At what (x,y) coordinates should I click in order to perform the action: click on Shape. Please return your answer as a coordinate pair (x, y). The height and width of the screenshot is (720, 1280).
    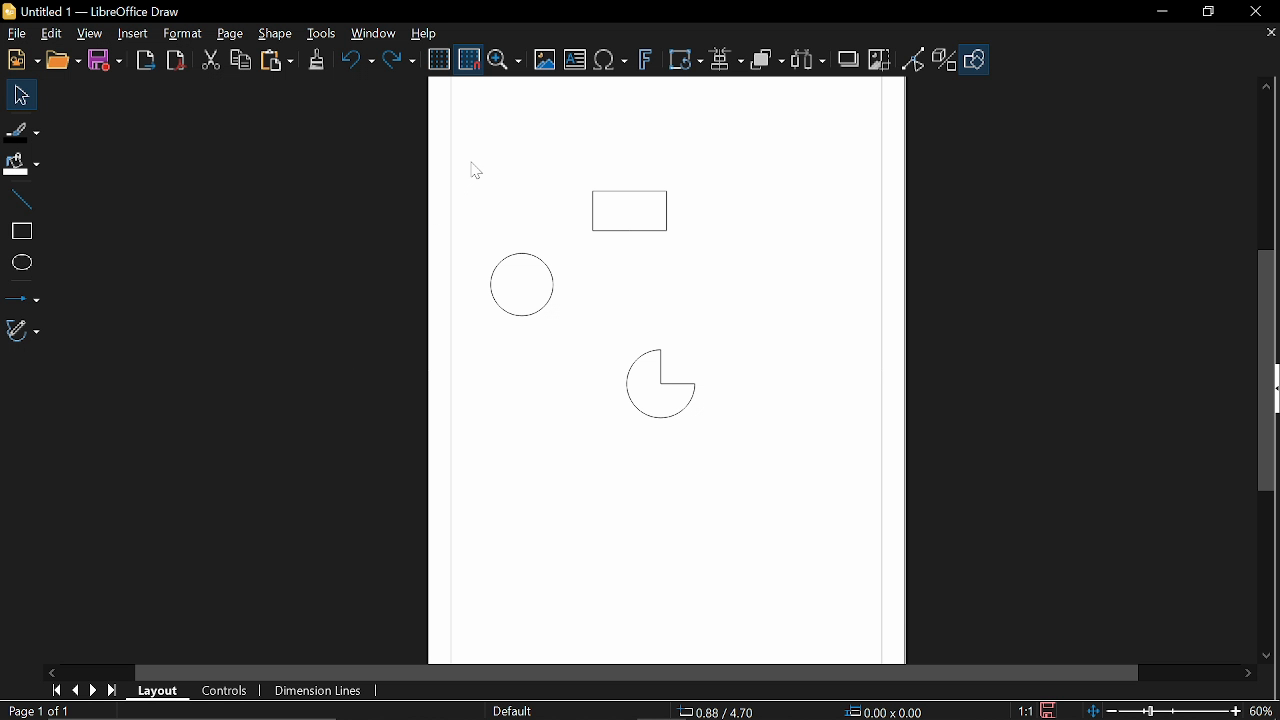
    Looking at the image, I should click on (274, 35).